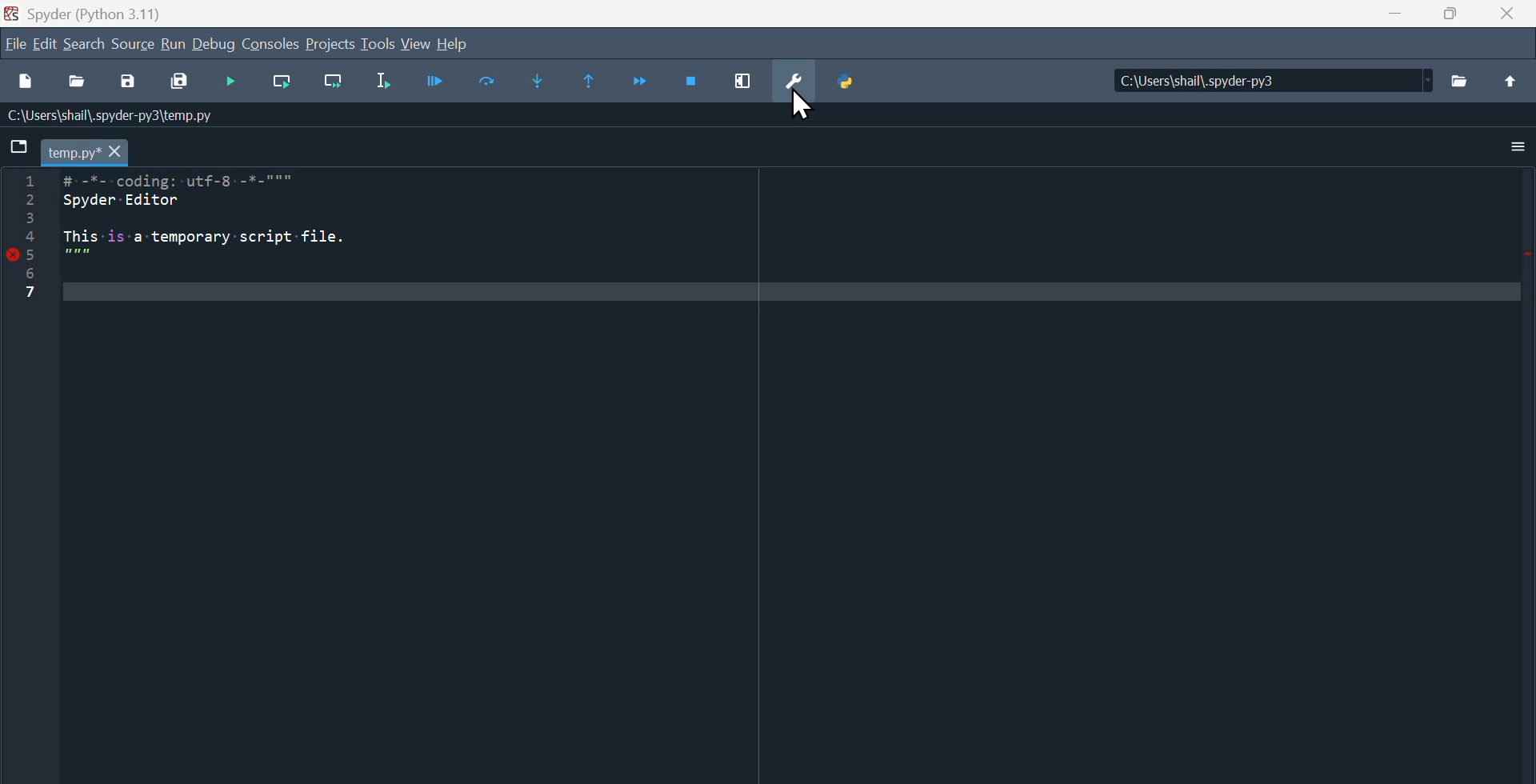 The image size is (1536, 784). I want to click on Debug file, so click(234, 83).